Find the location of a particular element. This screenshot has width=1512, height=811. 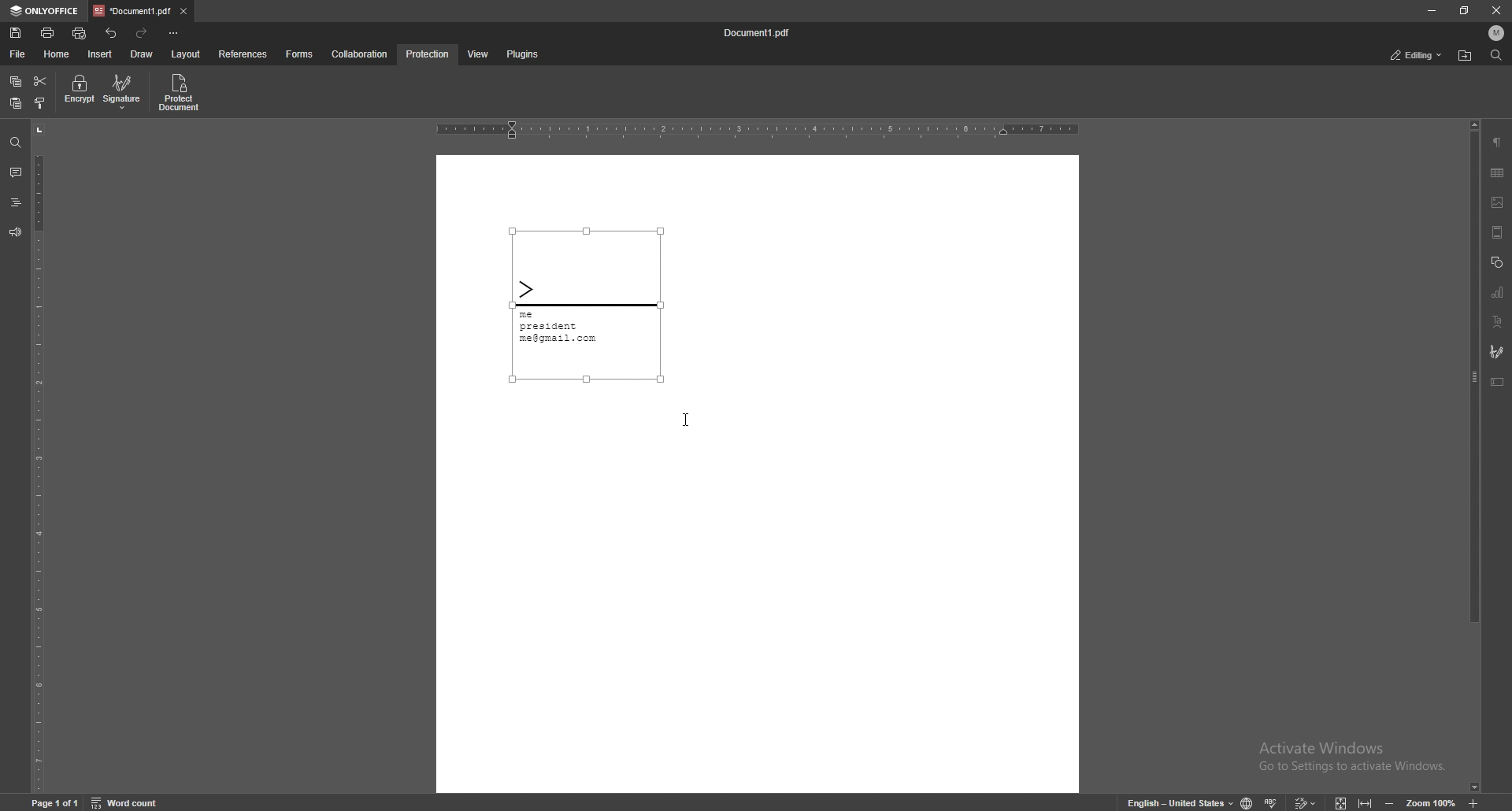

file name is located at coordinates (758, 33).